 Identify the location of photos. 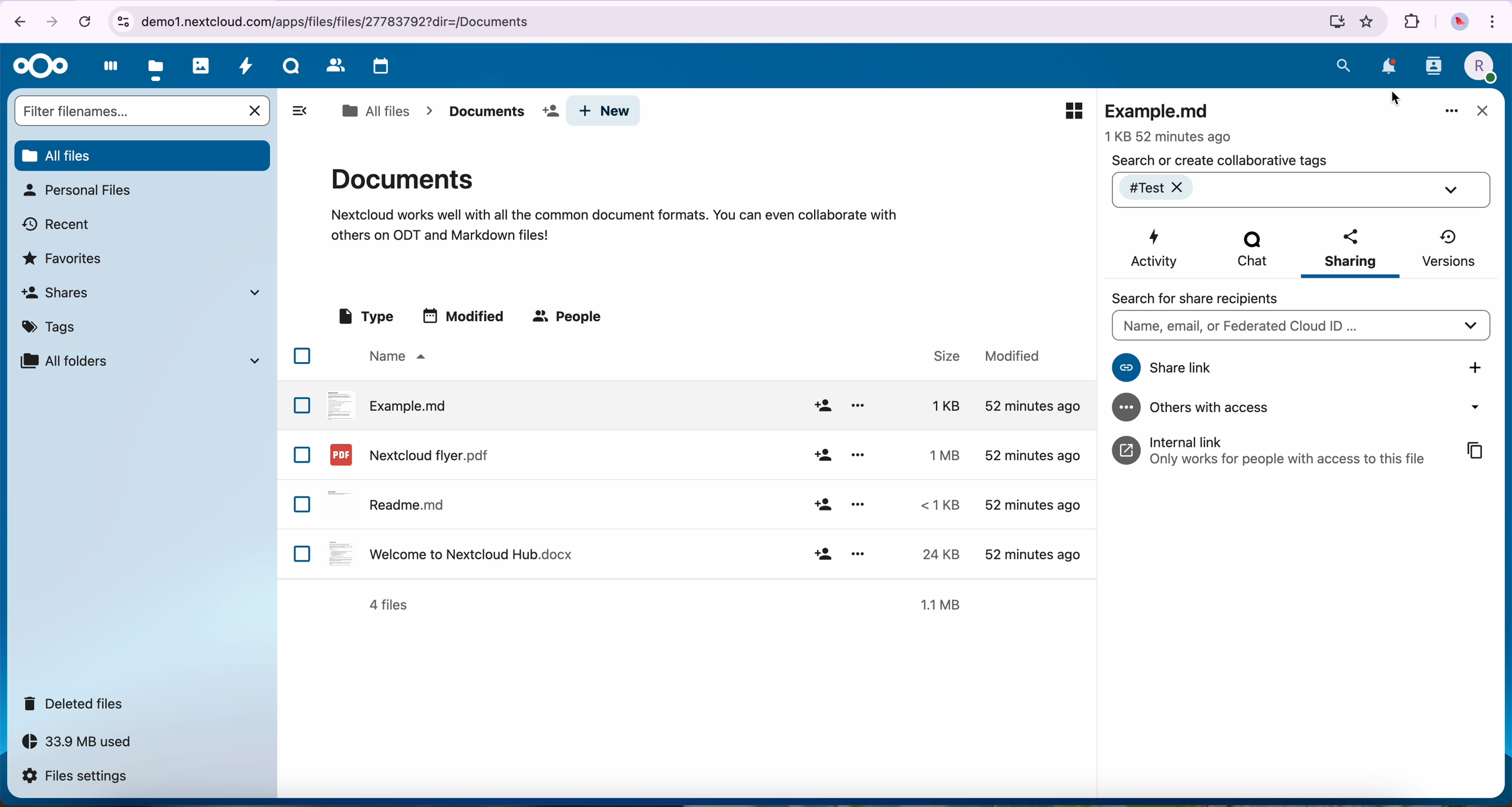
(201, 66).